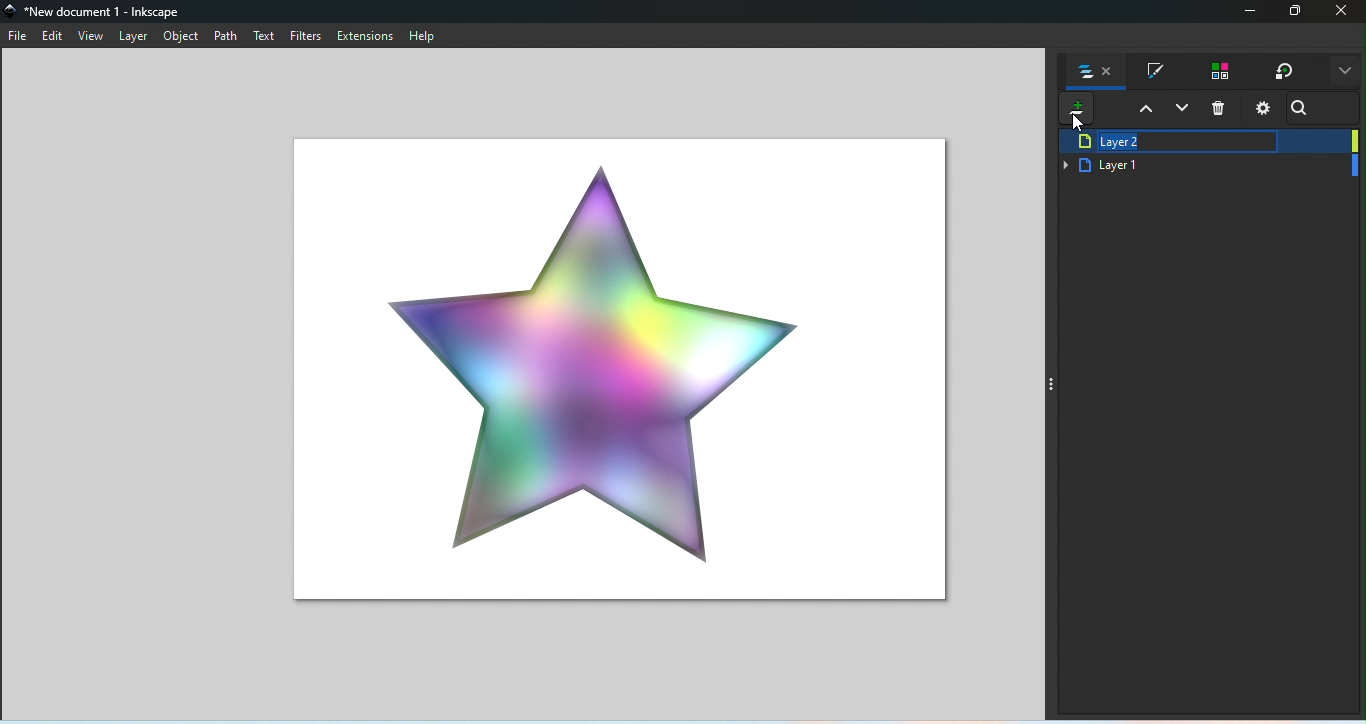  What do you see at coordinates (1303, 111) in the screenshot?
I see `Search bar` at bounding box center [1303, 111].